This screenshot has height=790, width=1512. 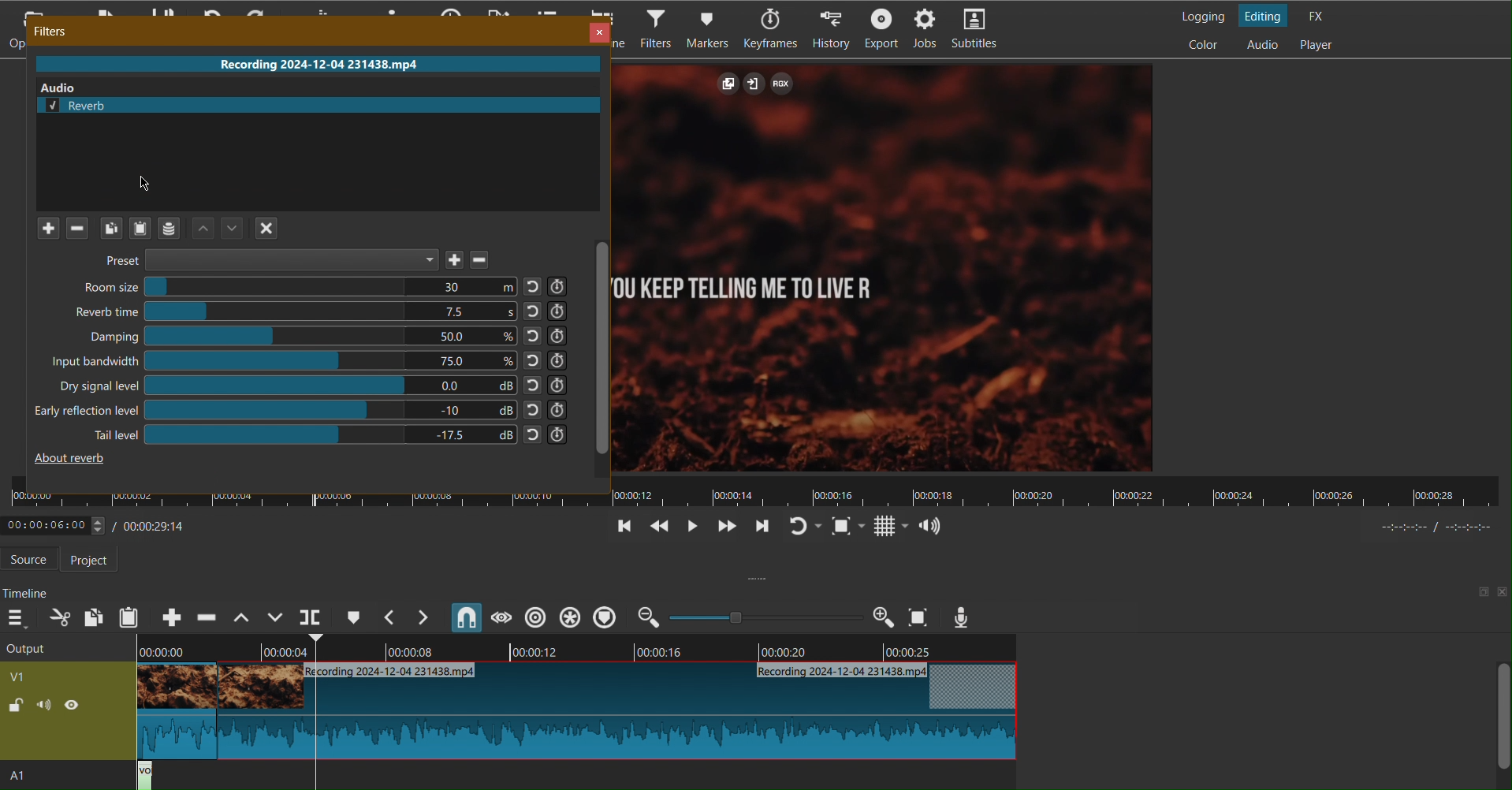 I want to click on Markers, so click(x=712, y=28).